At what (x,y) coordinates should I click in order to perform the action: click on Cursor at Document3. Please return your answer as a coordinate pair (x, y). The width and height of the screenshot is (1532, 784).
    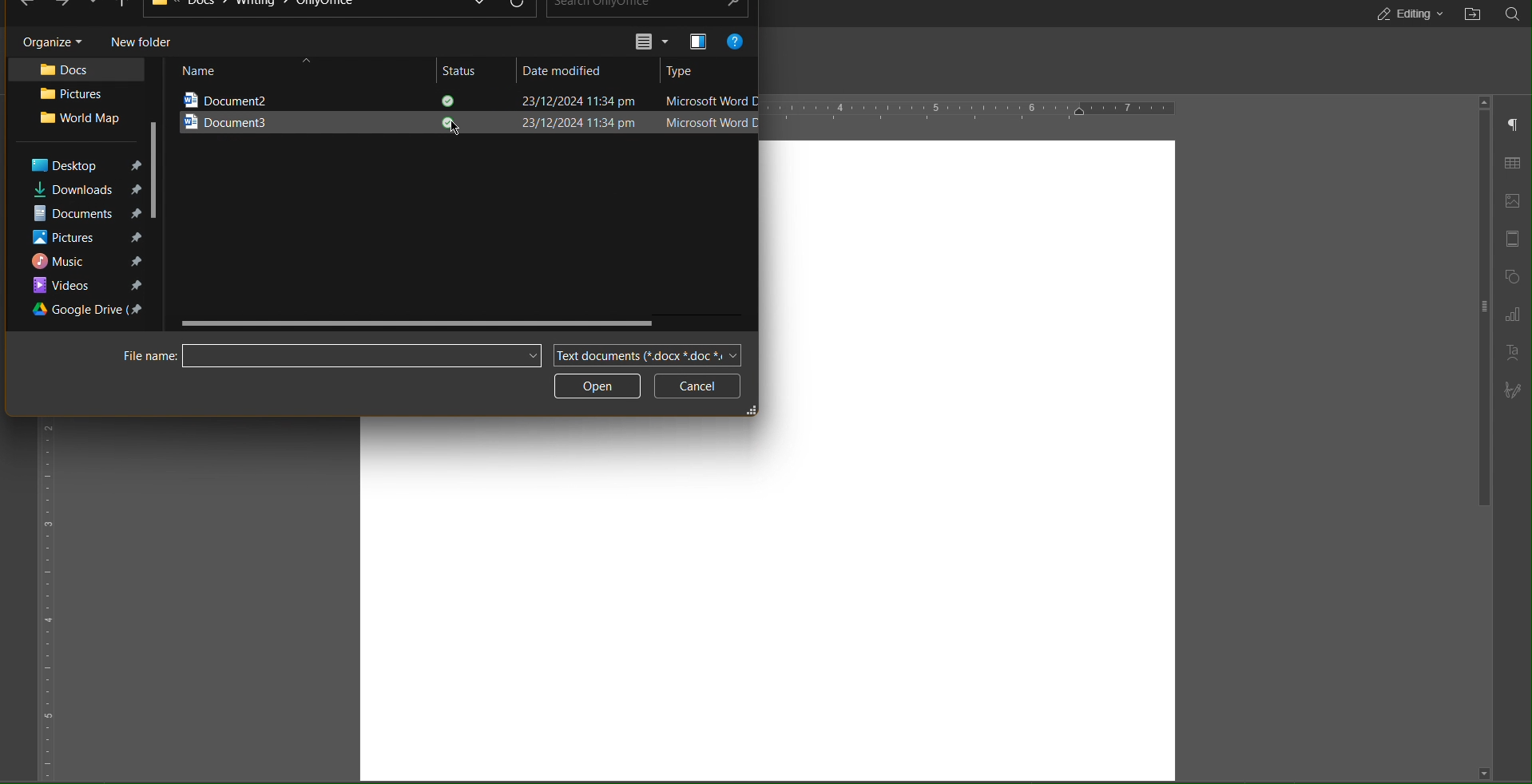
    Looking at the image, I should click on (456, 129).